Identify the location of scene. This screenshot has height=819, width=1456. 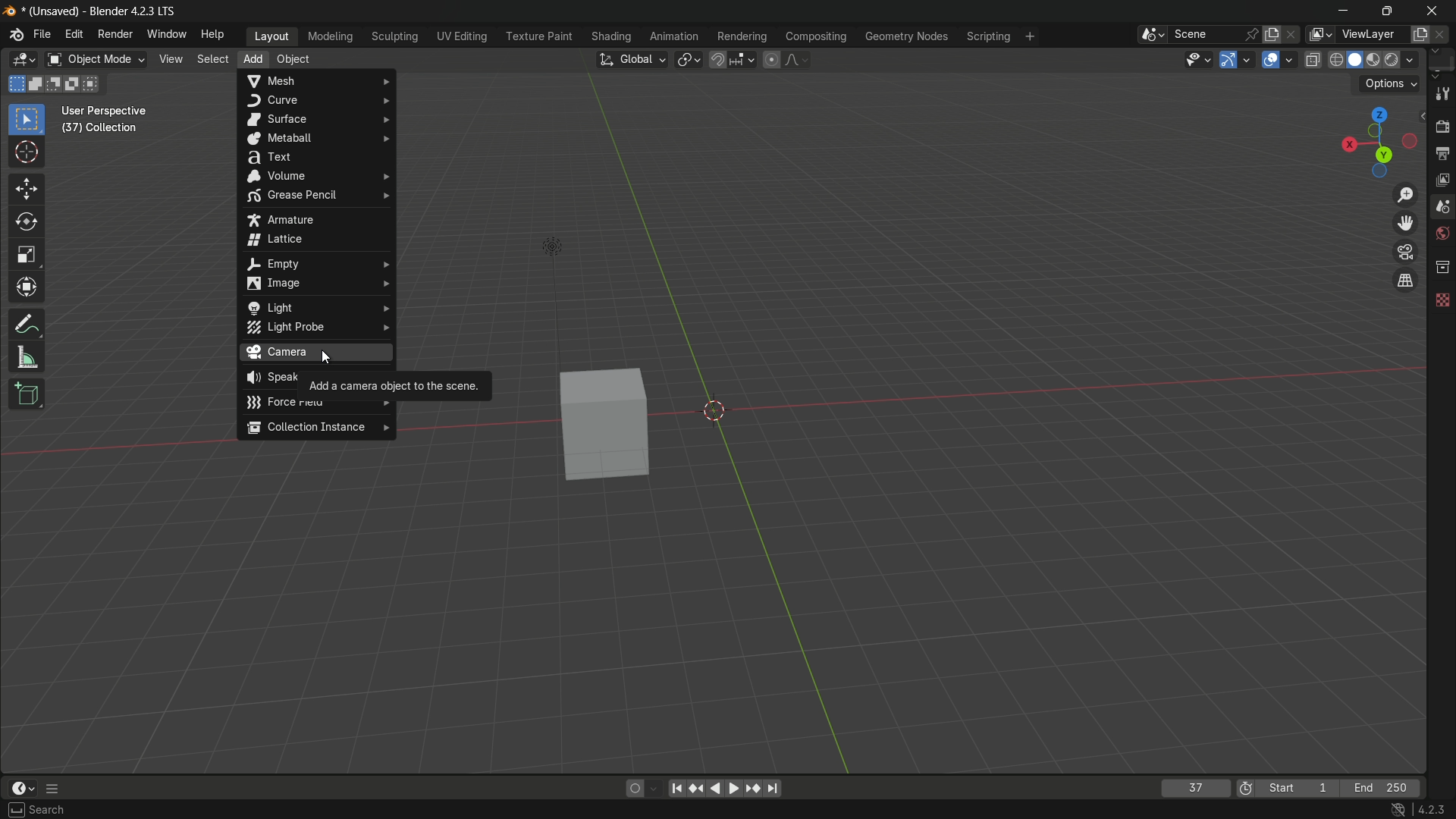
(1441, 208).